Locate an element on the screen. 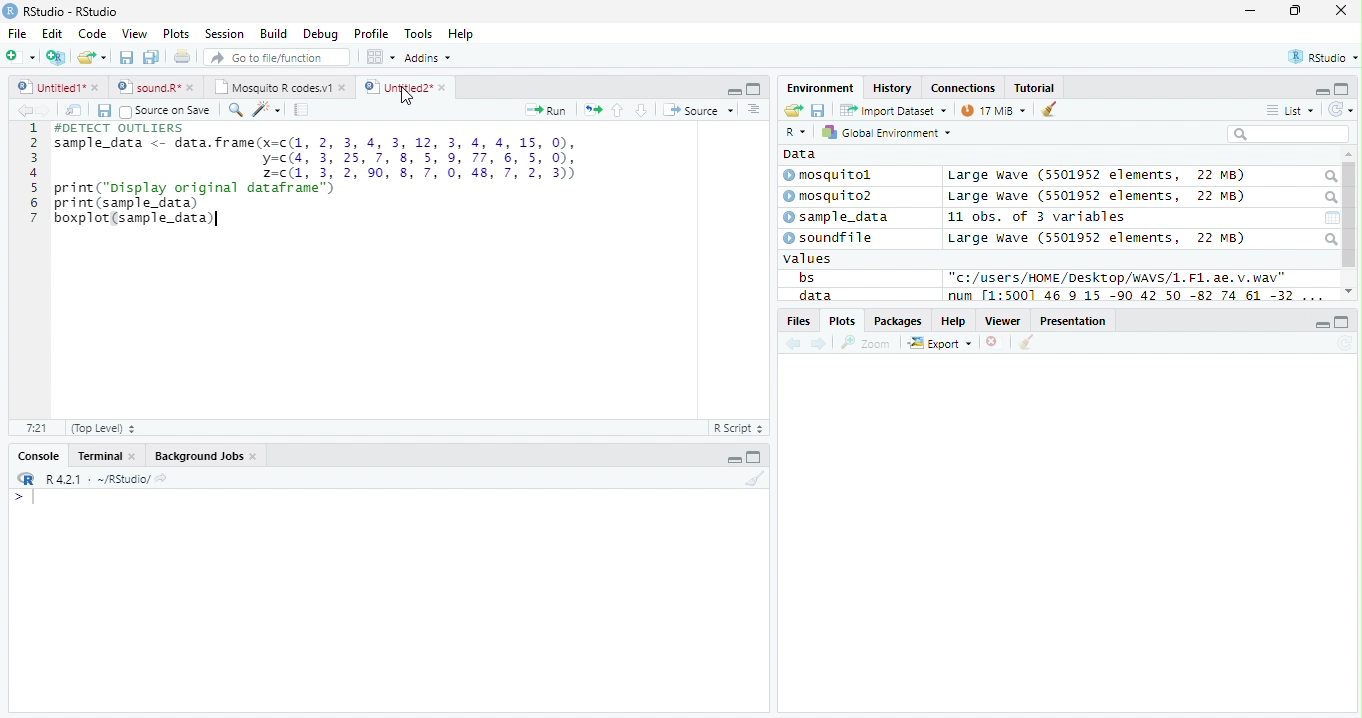 This screenshot has width=1362, height=718. Tutorial is located at coordinates (1035, 89).